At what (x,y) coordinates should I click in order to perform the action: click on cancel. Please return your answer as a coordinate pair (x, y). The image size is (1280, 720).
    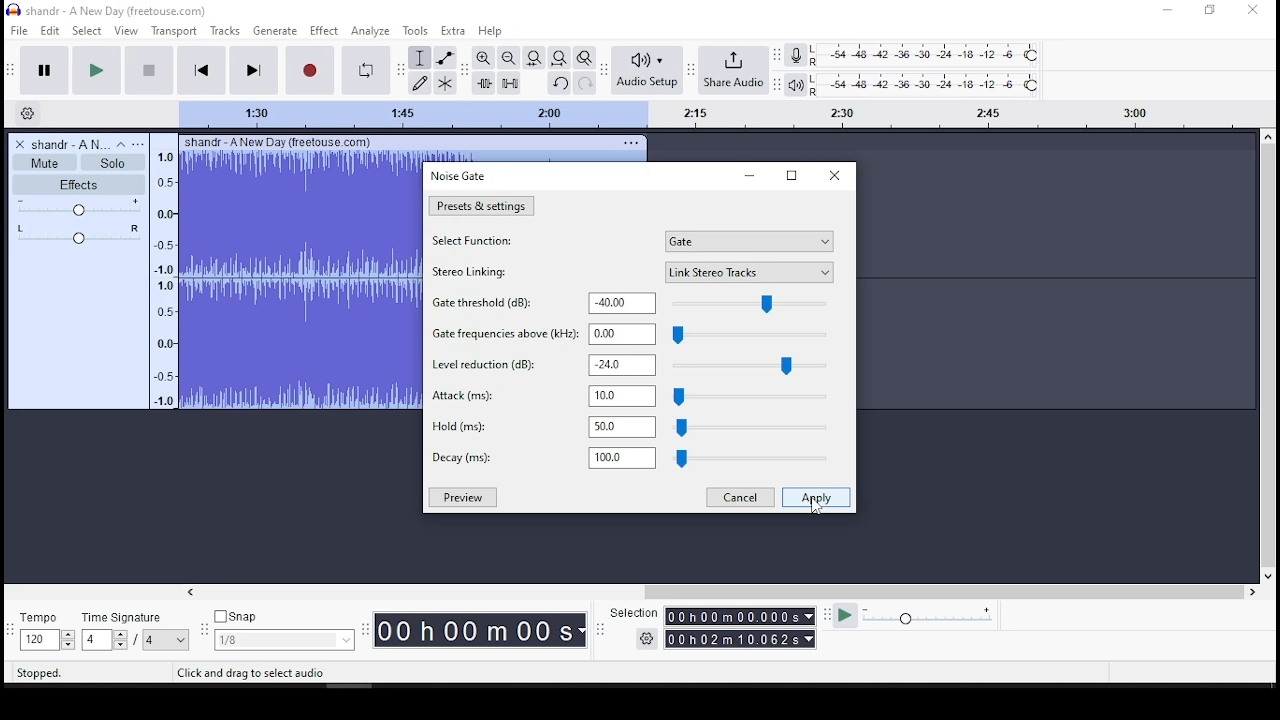
    Looking at the image, I should click on (739, 498).